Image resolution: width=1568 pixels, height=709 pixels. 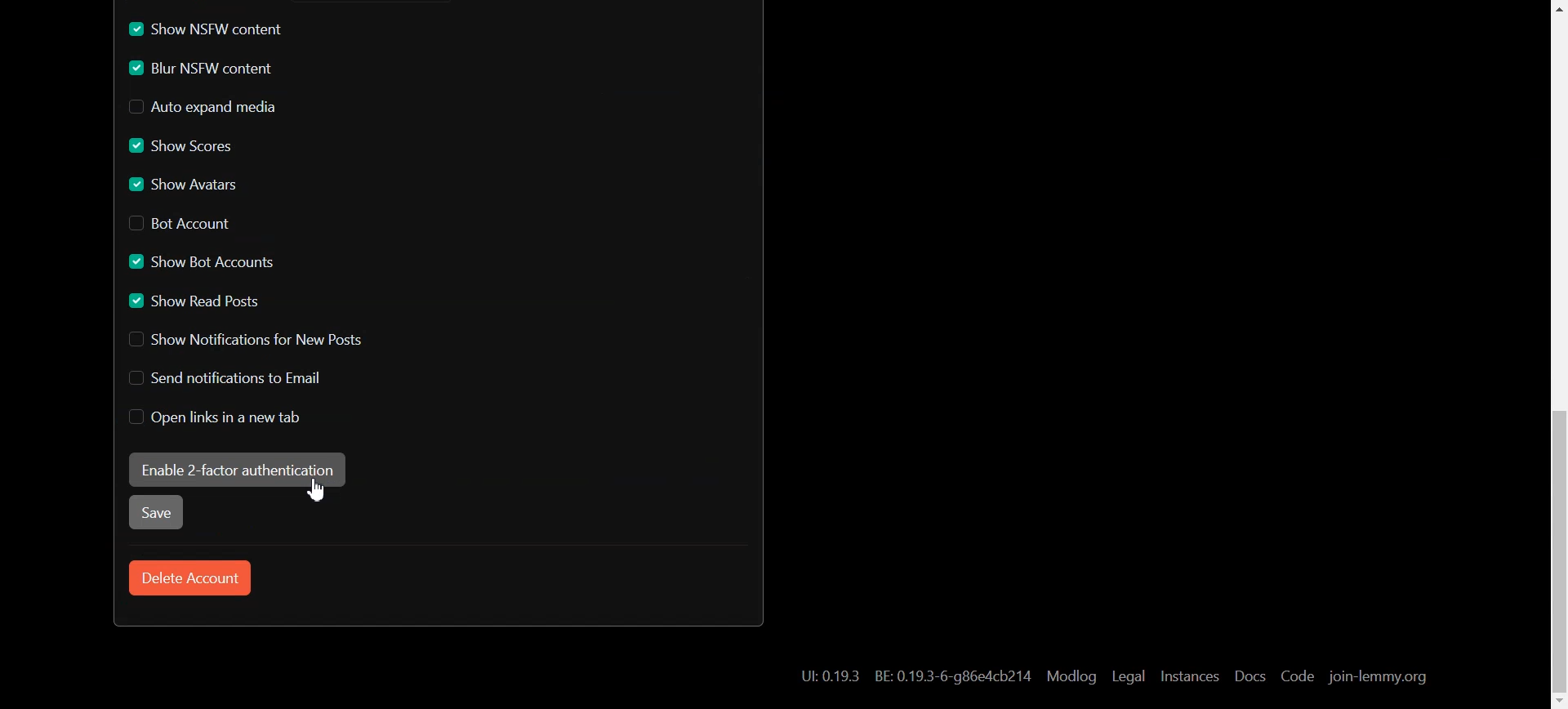 What do you see at coordinates (1377, 676) in the screenshot?
I see `join-lemmy.org` at bounding box center [1377, 676].